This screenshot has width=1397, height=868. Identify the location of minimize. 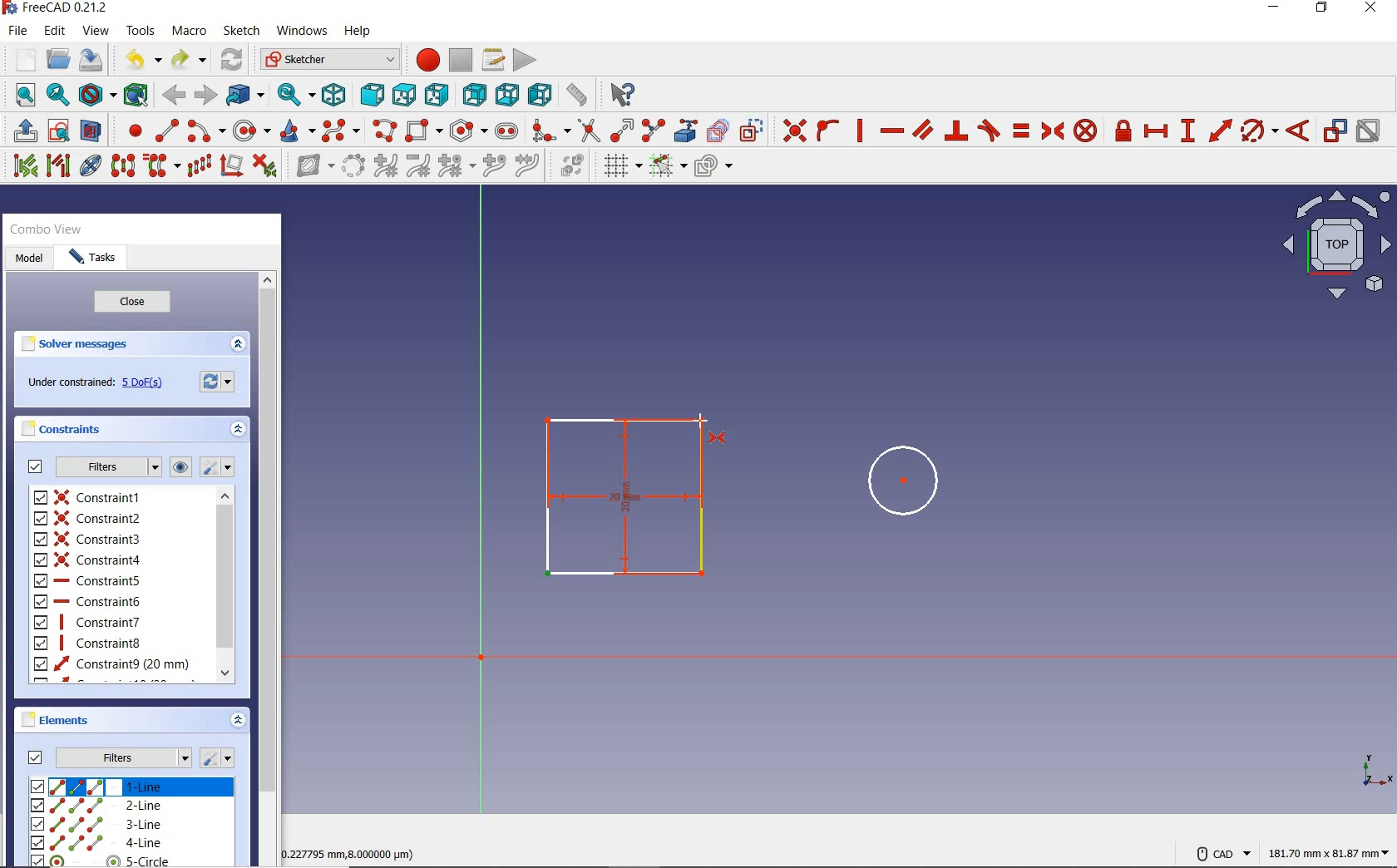
(1277, 8).